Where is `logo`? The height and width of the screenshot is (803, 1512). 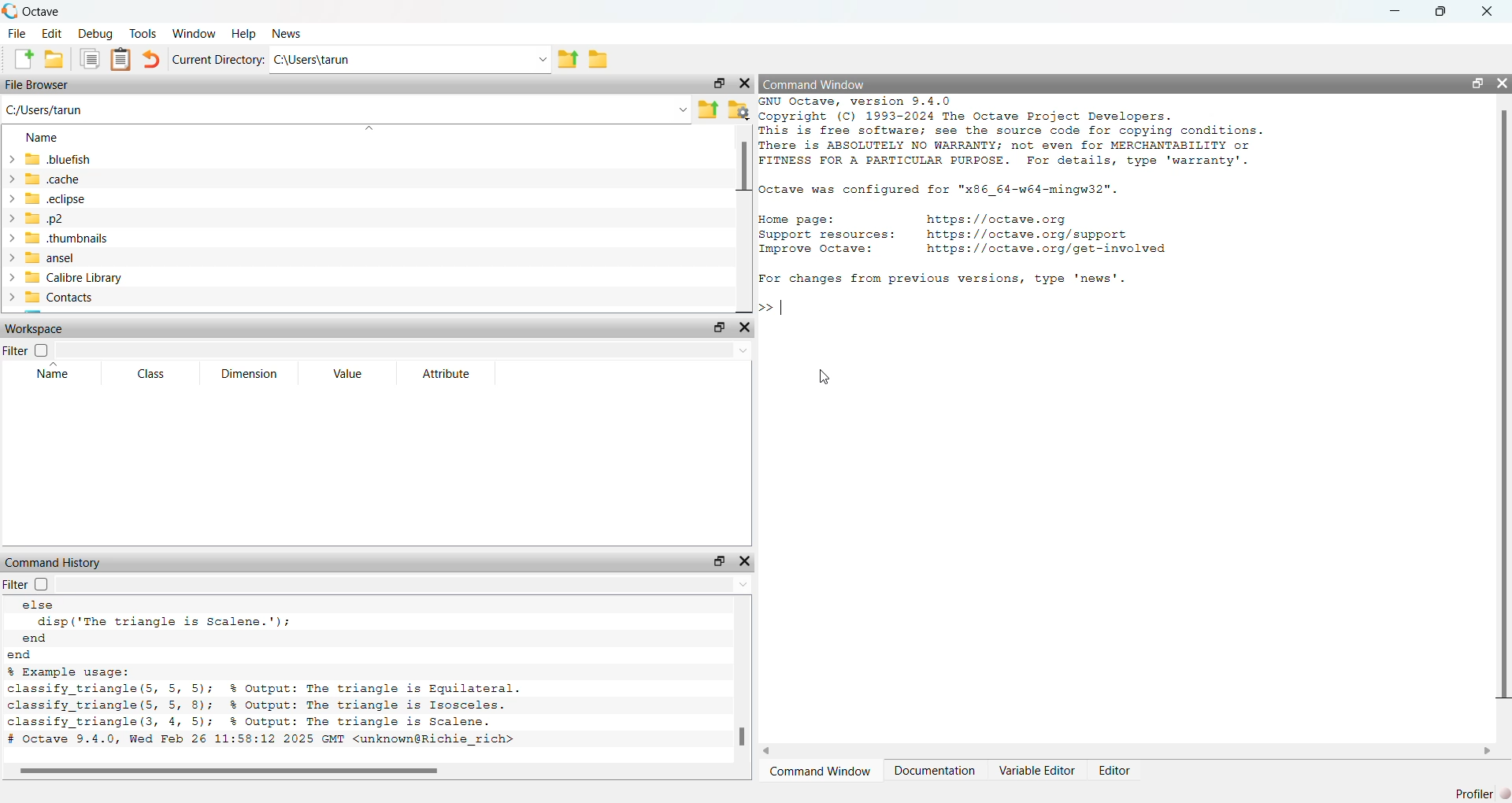
logo is located at coordinates (9, 10).